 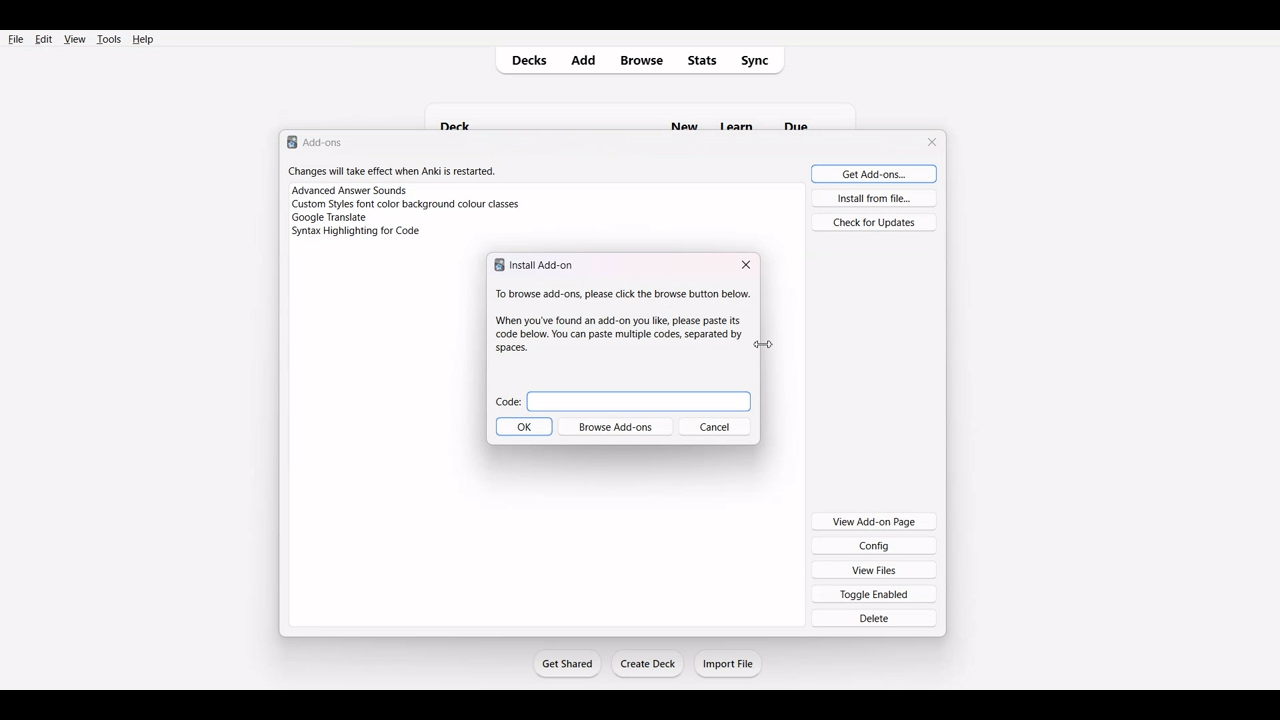 I want to click on Sync, so click(x=761, y=60).